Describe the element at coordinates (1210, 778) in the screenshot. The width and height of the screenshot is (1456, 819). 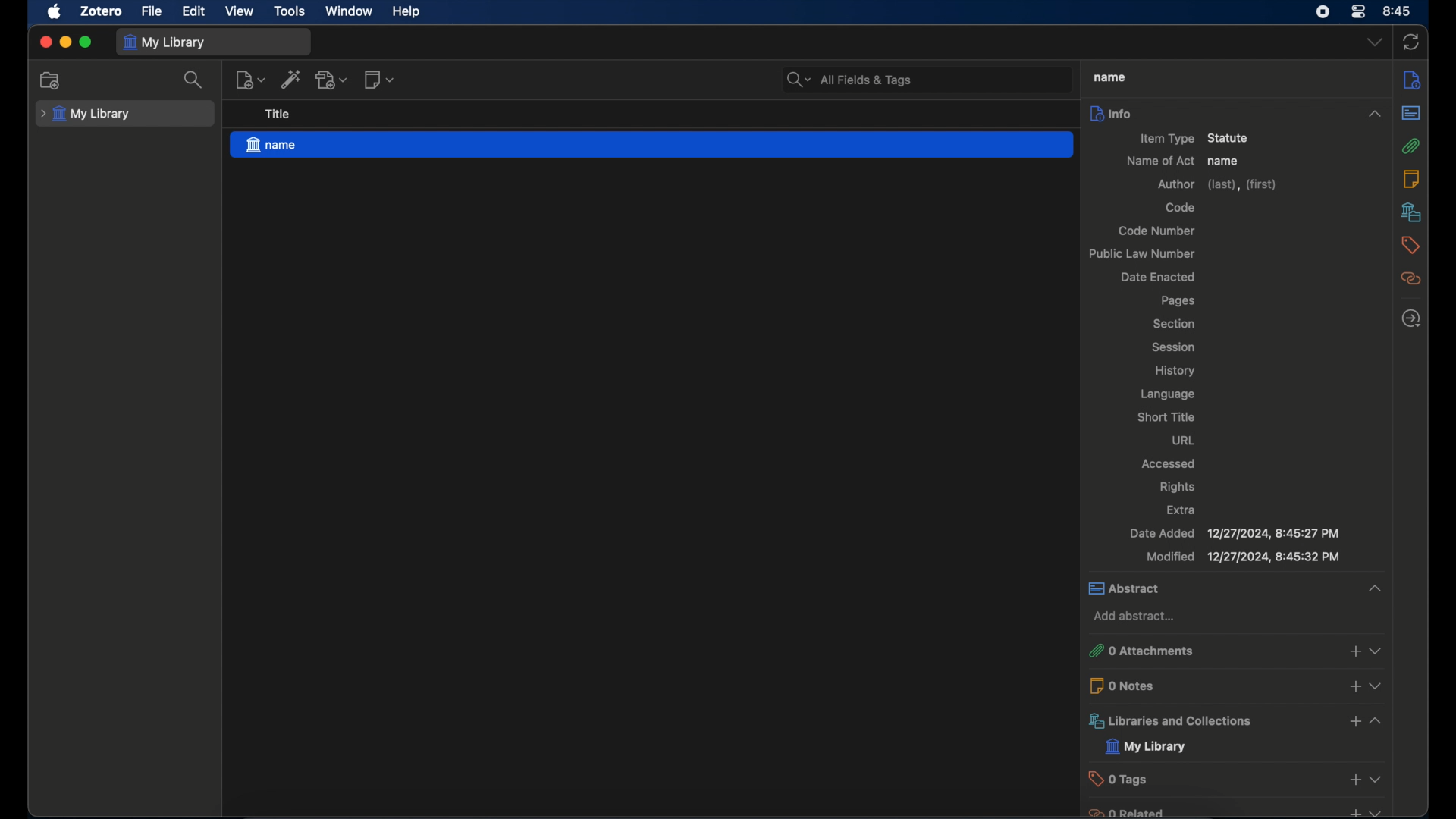
I see `0 tags` at that location.